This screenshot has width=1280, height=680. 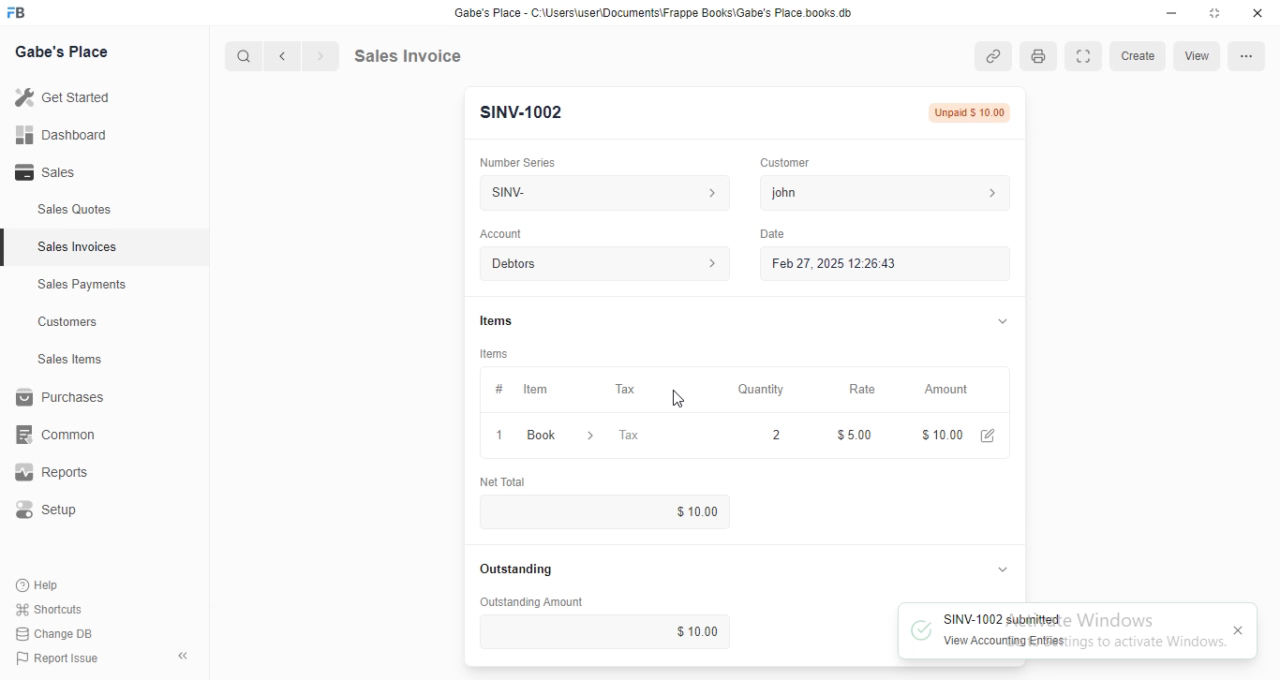 What do you see at coordinates (284, 54) in the screenshot?
I see `previous` at bounding box center [284, 54].